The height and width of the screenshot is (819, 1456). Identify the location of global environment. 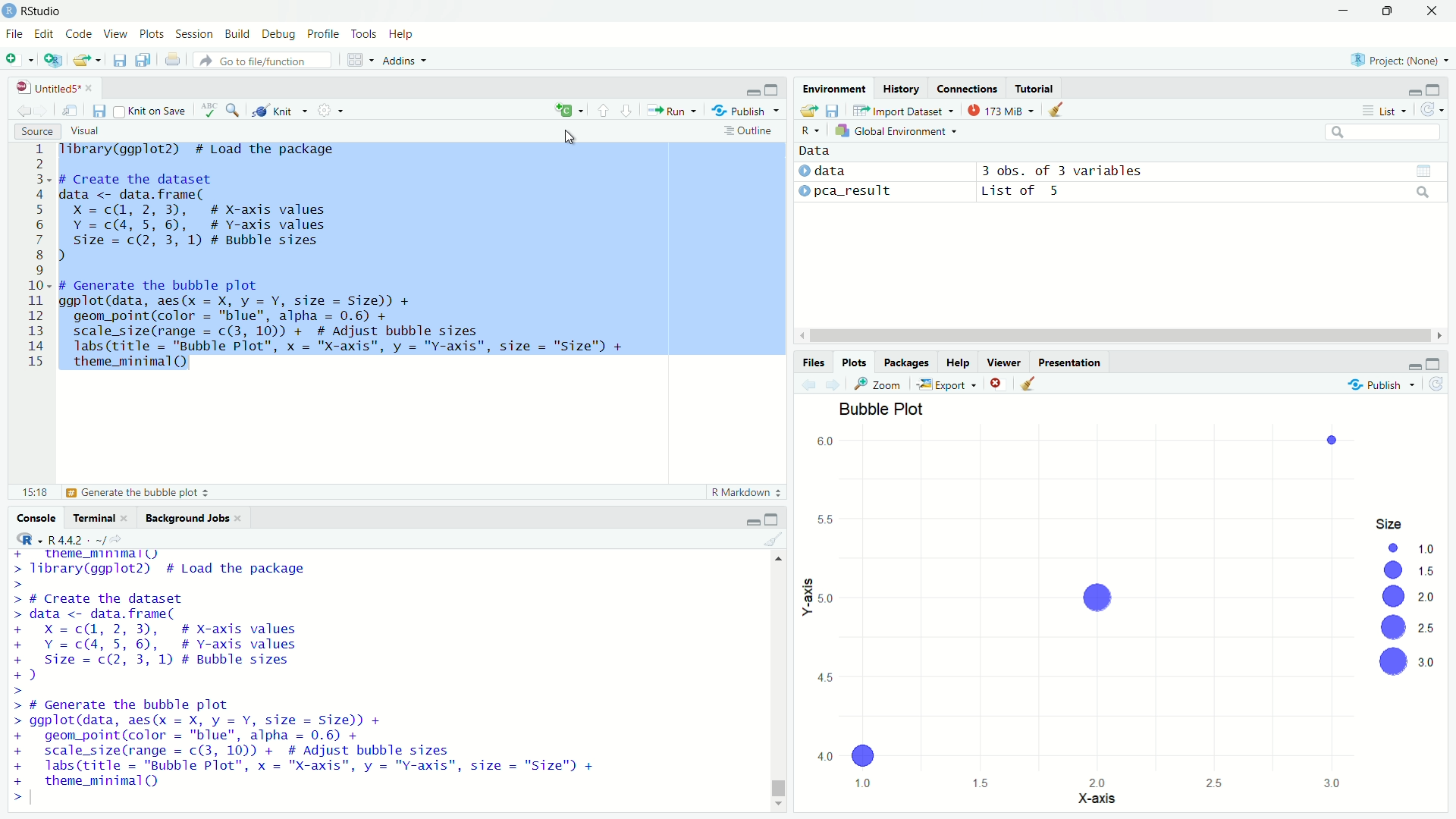
(899, 130).